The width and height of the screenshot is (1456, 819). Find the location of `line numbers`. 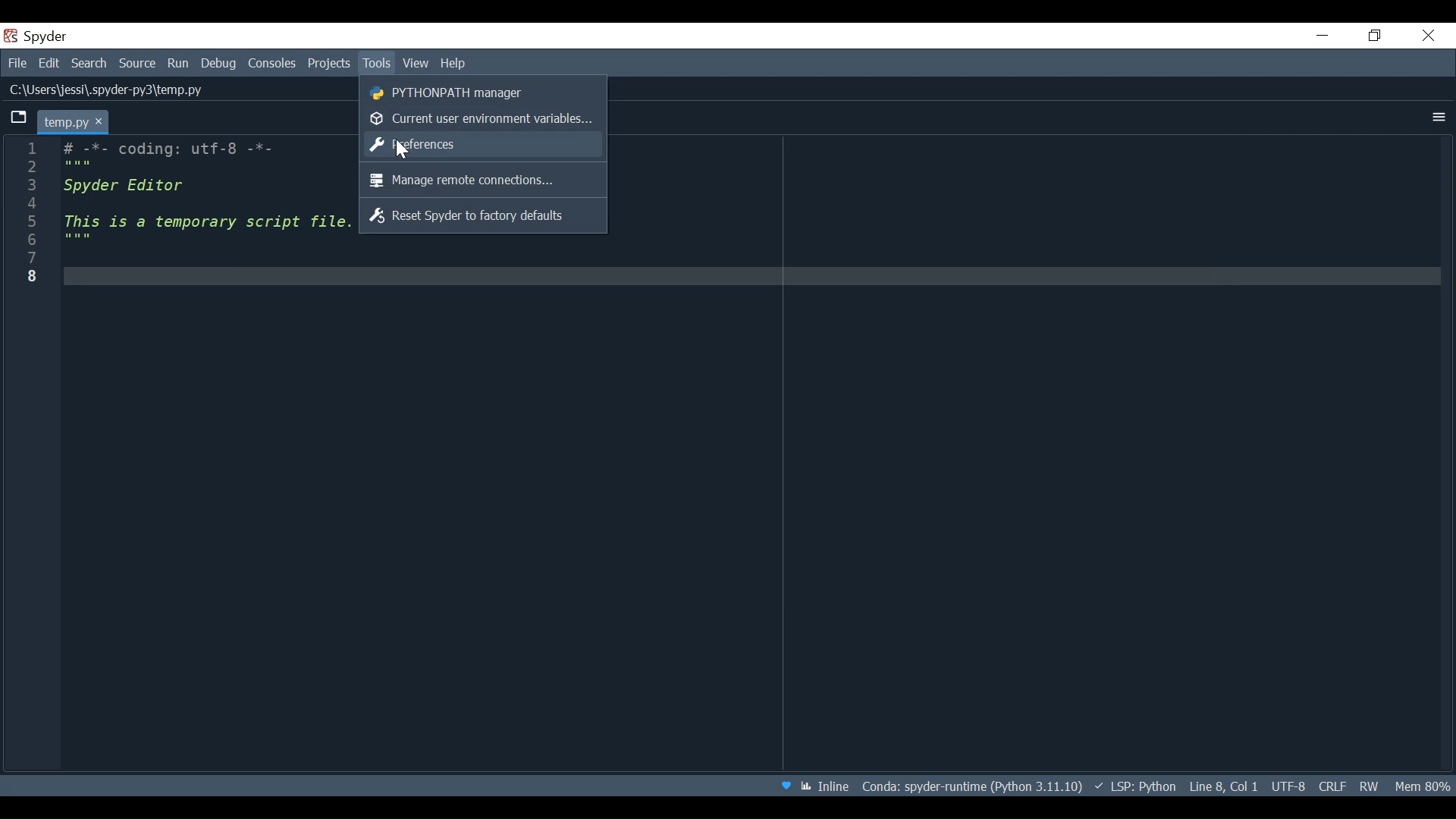

line numbers is located at coordinates (29, 215).